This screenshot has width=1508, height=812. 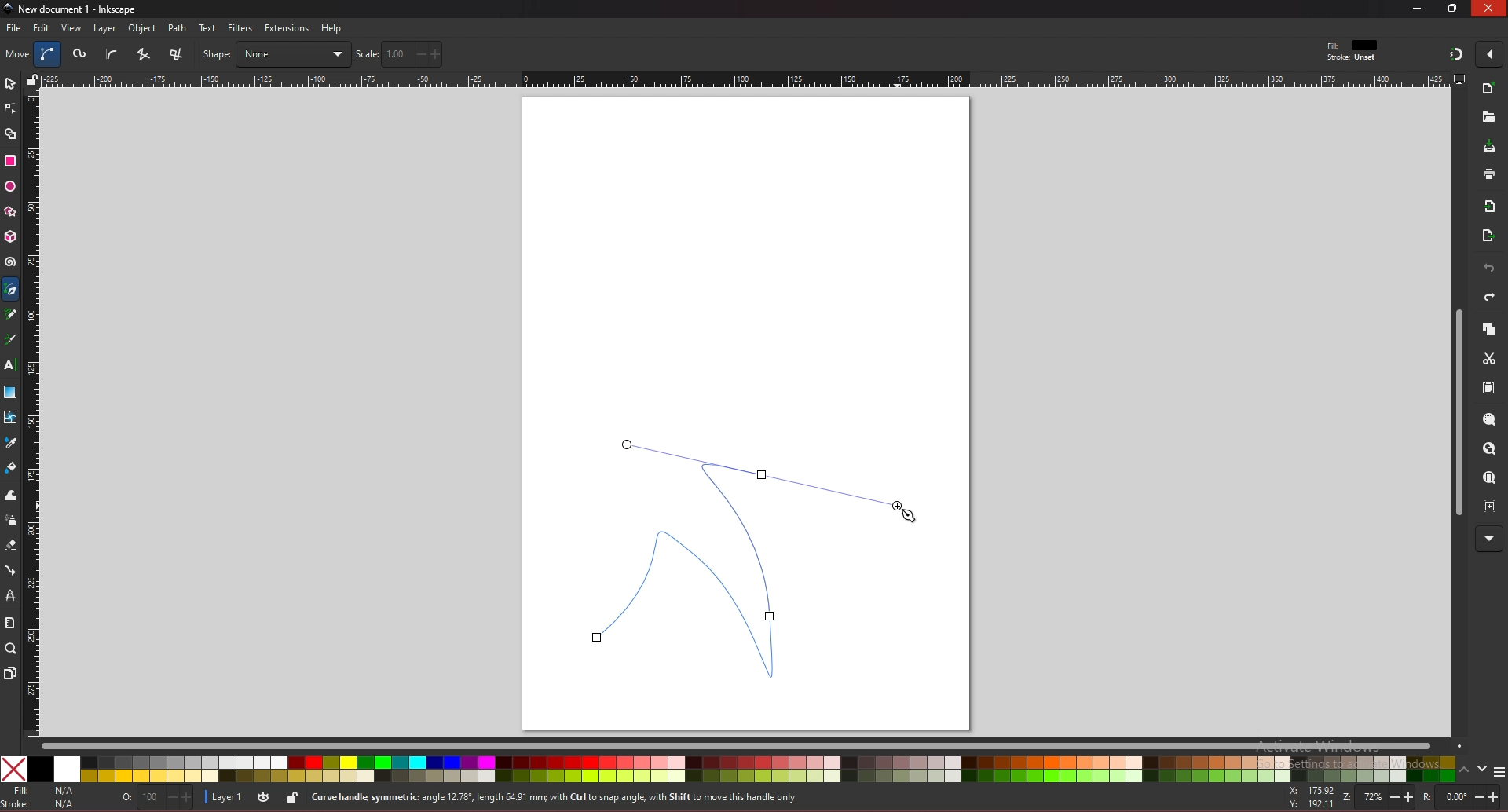 What do you see at coordinates (11, 444) in the screenshot?
I see `dropper` at bounding box center [11, 444].